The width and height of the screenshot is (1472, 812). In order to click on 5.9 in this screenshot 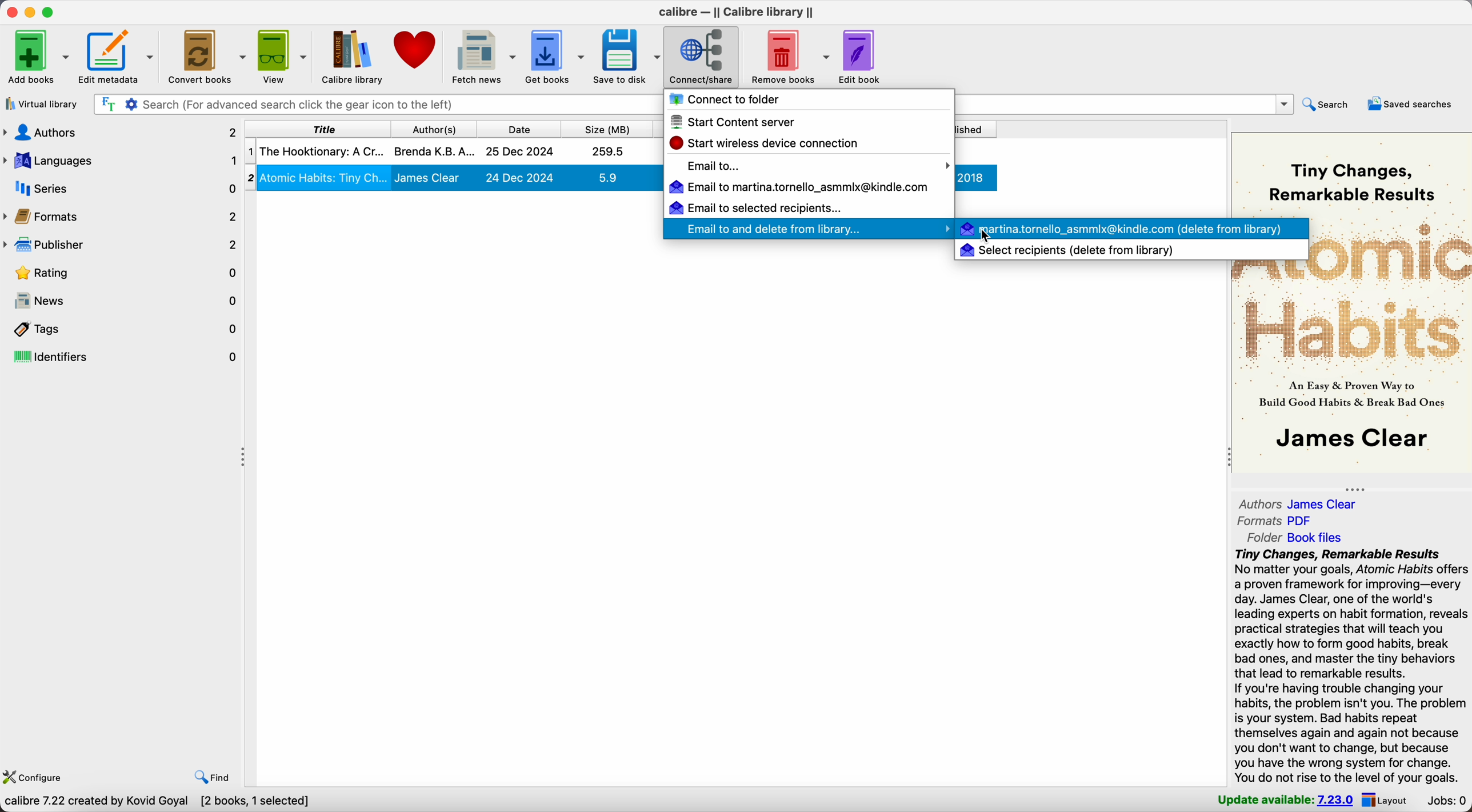, I will do `click(607, 177)`.